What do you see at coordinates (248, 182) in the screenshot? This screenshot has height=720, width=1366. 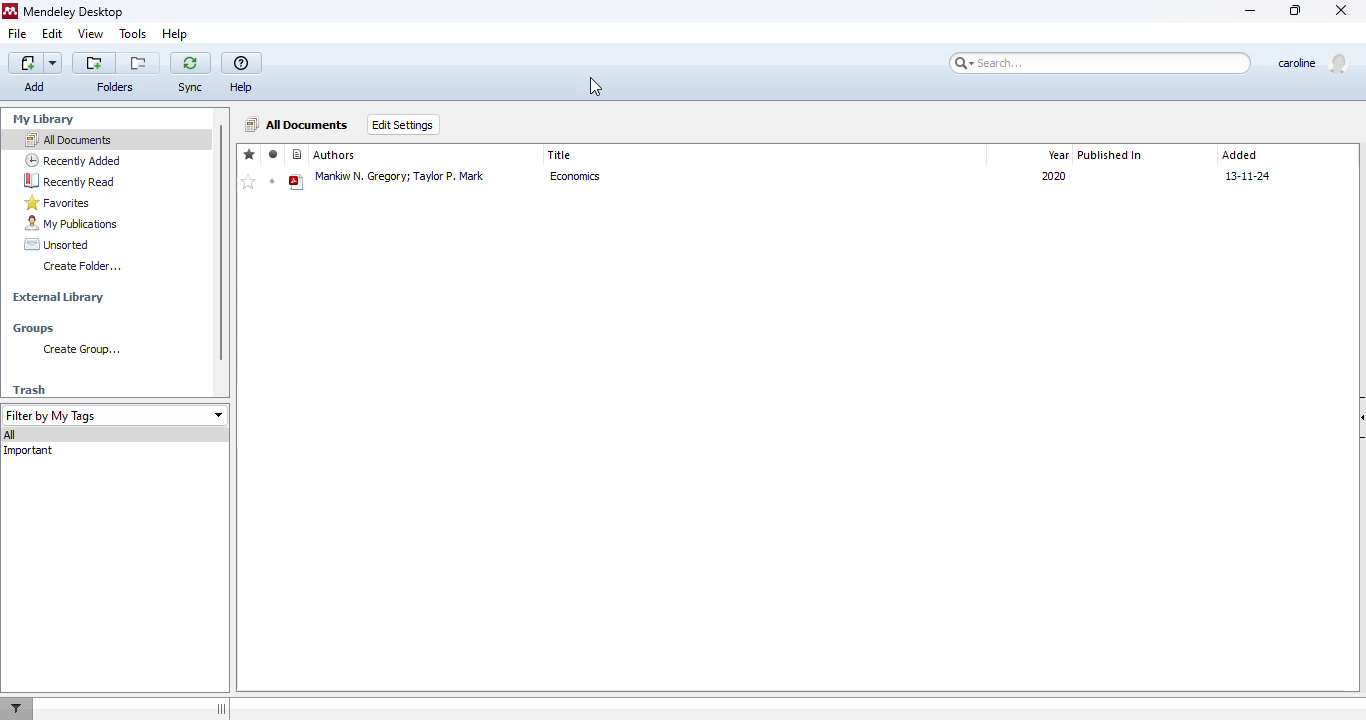 I see `add to favorites` at bounding box center [248, 182].